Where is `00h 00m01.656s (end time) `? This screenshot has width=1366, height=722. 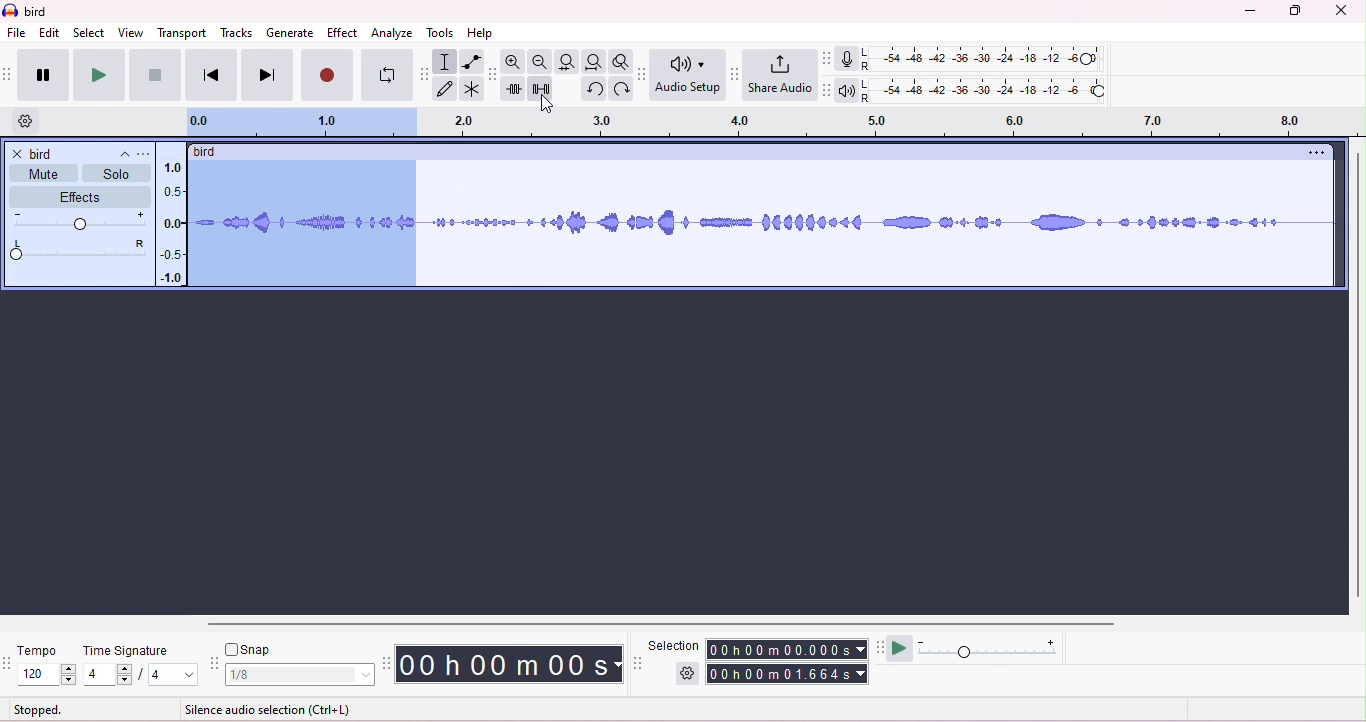 00h 00m01.656s (end time)  is located at coordinates (784, 674).